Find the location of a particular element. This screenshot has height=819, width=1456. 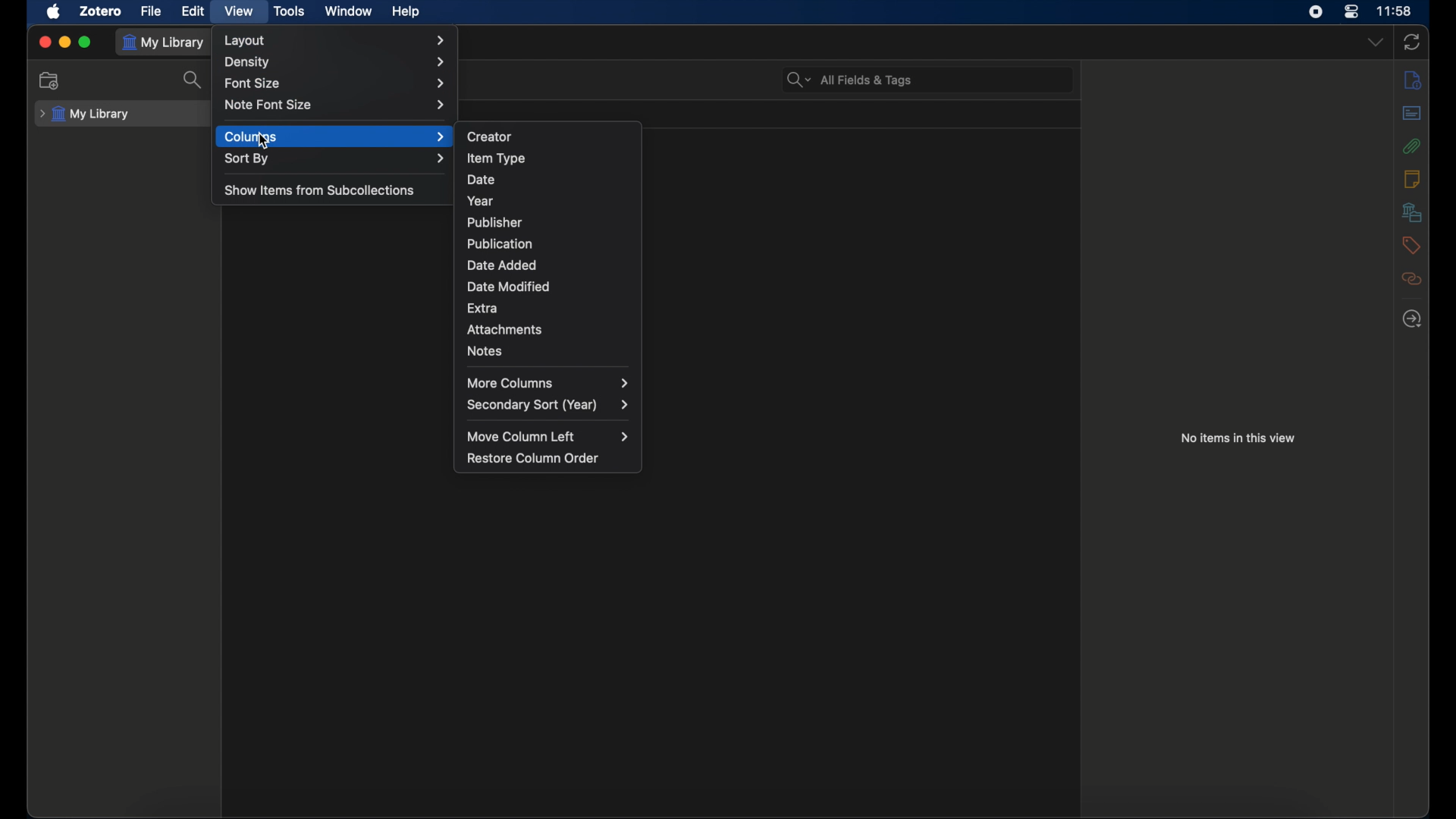

dropdown is located at coordinates (1376, 42).